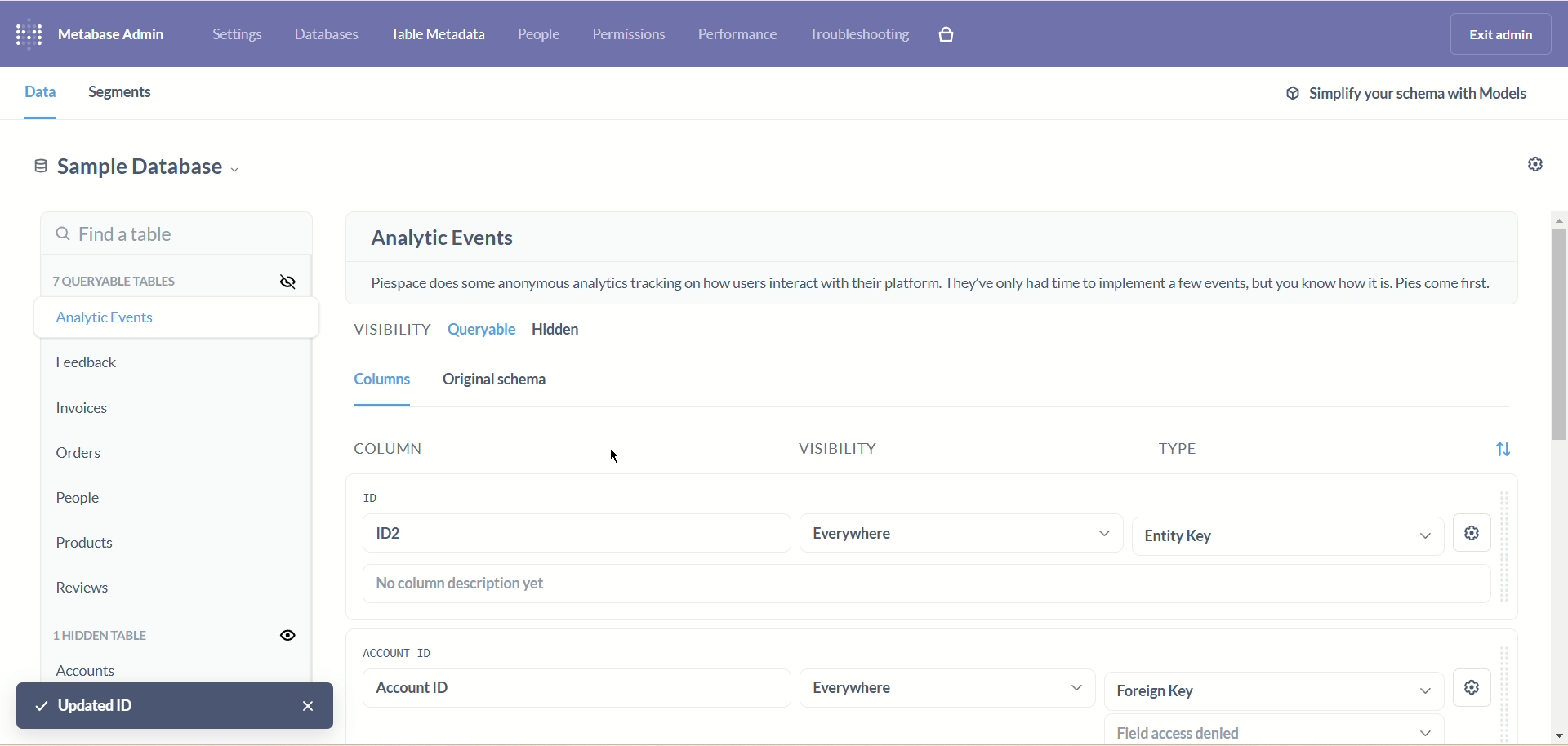  I want to click on Sort, so click(1506, 446).